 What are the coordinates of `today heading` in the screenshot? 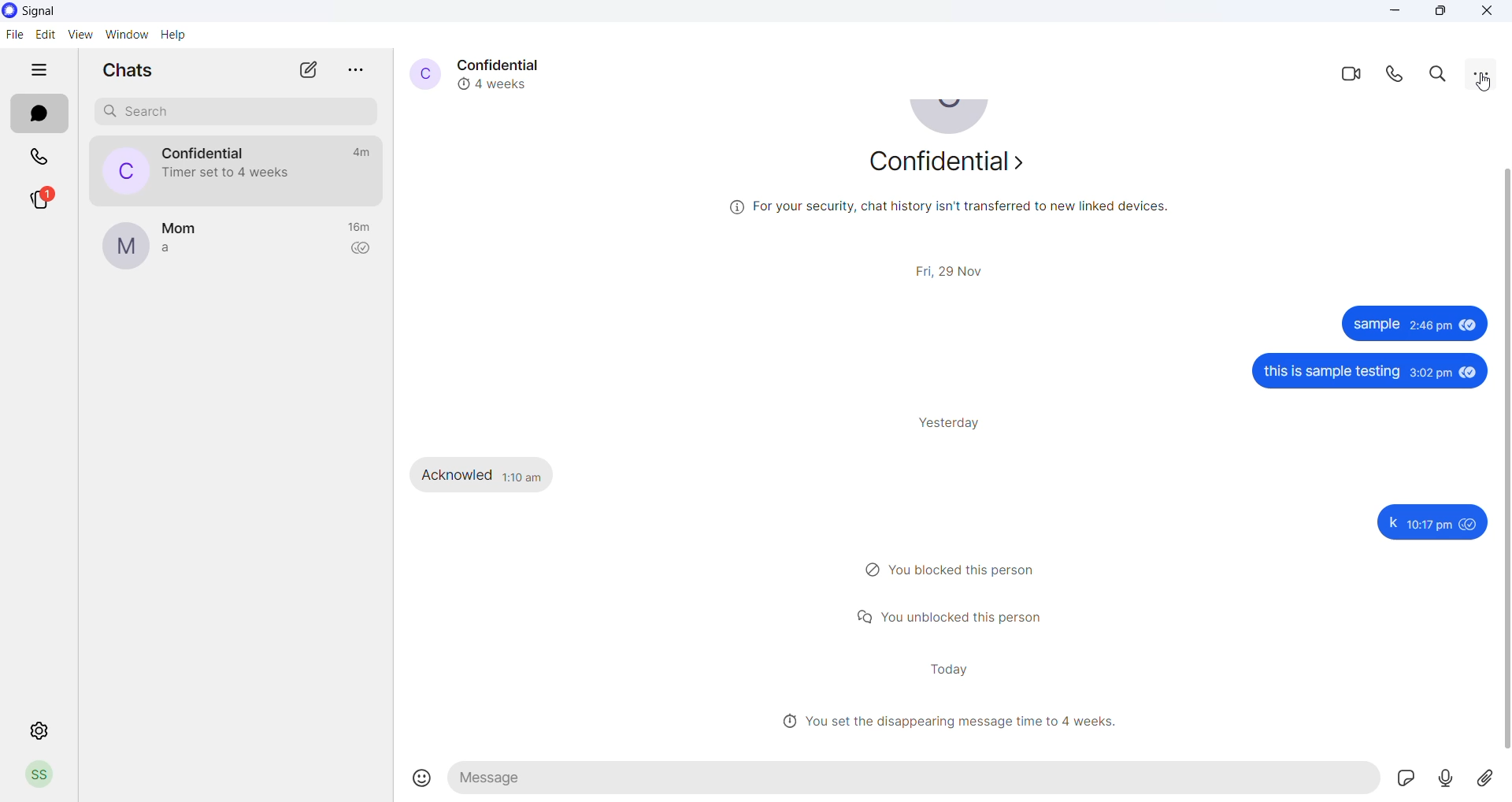 It's located at (949, 669).